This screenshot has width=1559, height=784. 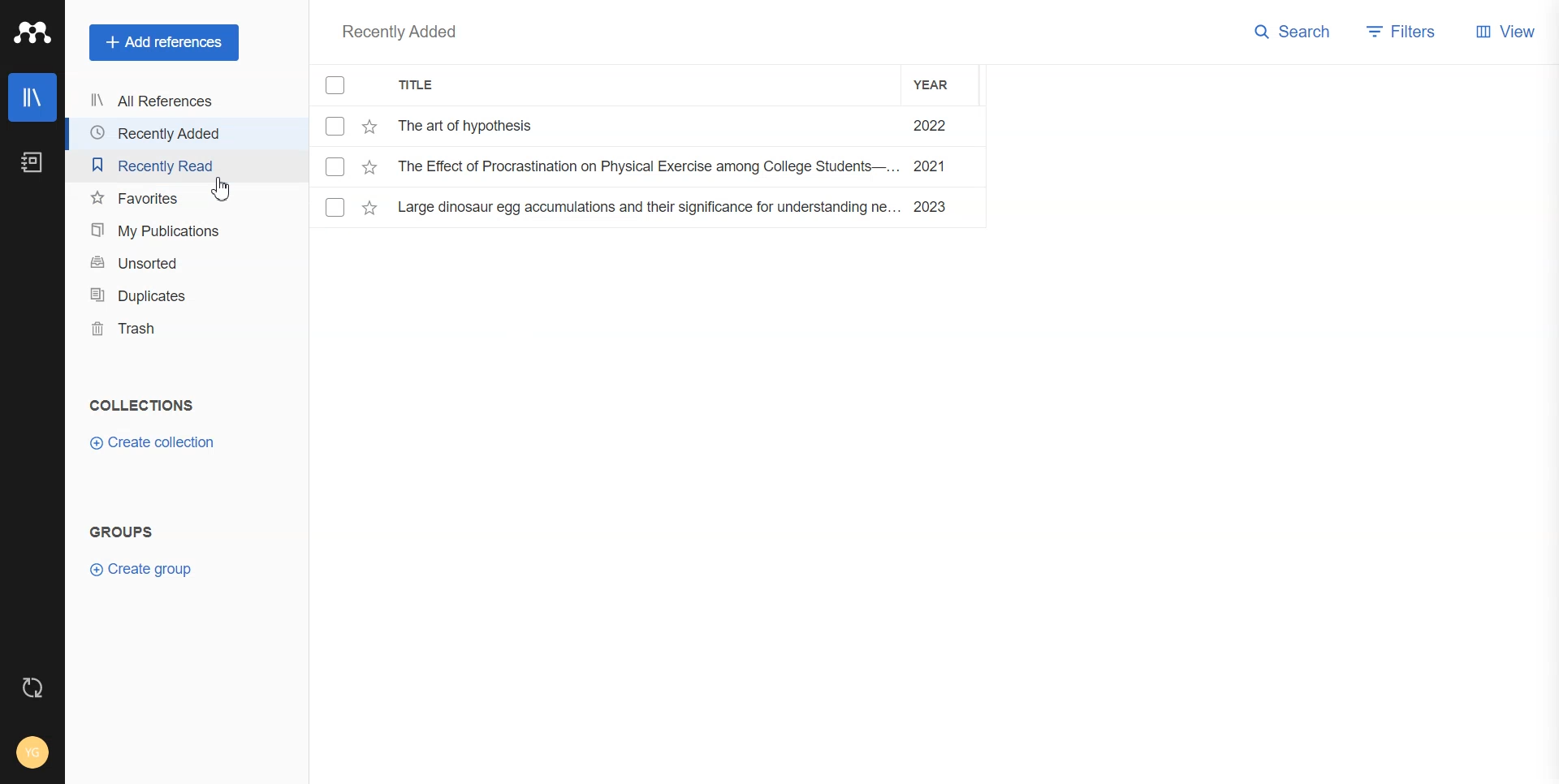 I want to click on Favorites, so click(x=139, y=199).